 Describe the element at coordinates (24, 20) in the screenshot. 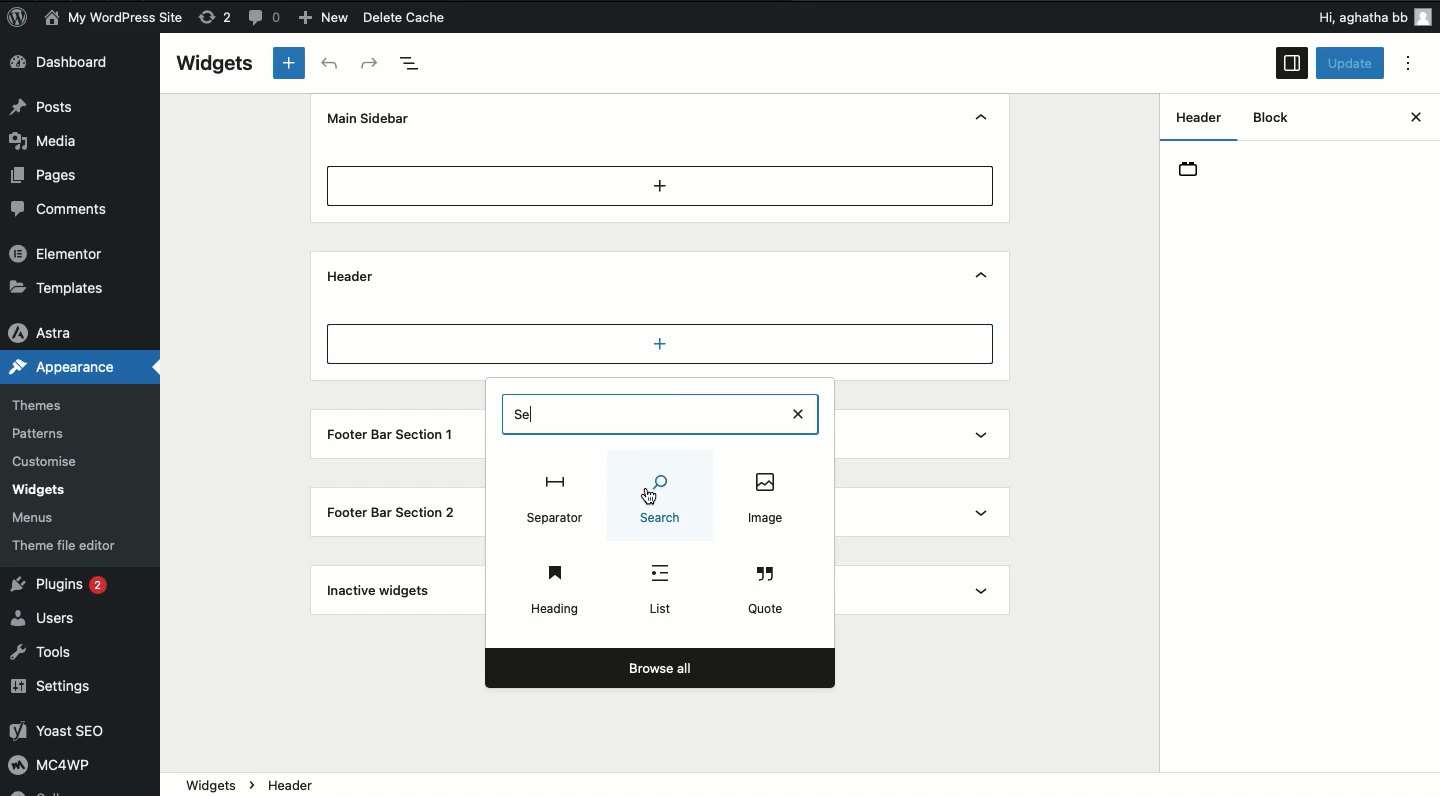

I see `logo` at that location.